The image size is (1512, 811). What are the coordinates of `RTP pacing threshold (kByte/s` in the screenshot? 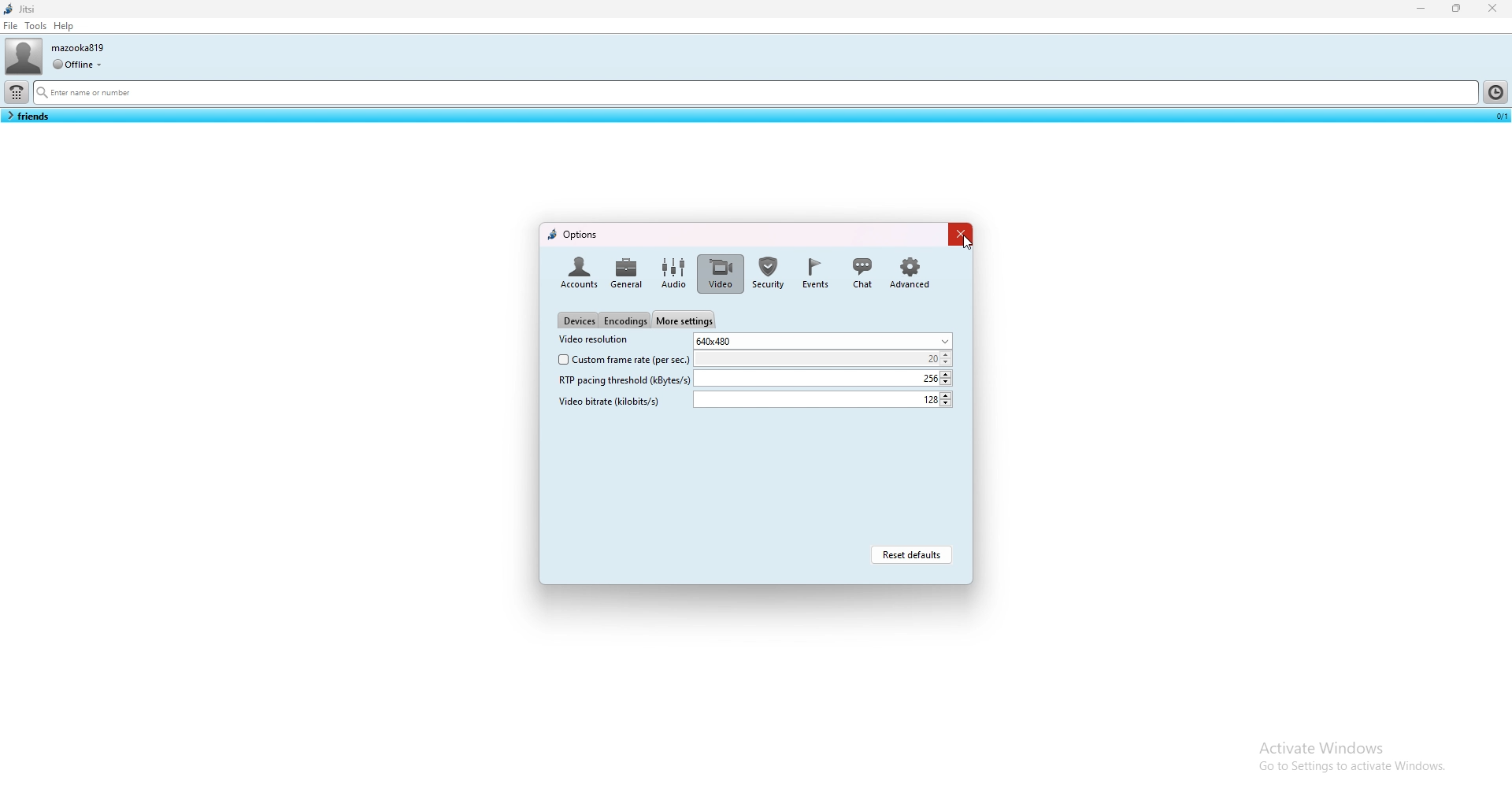 It's located at (617, 380).